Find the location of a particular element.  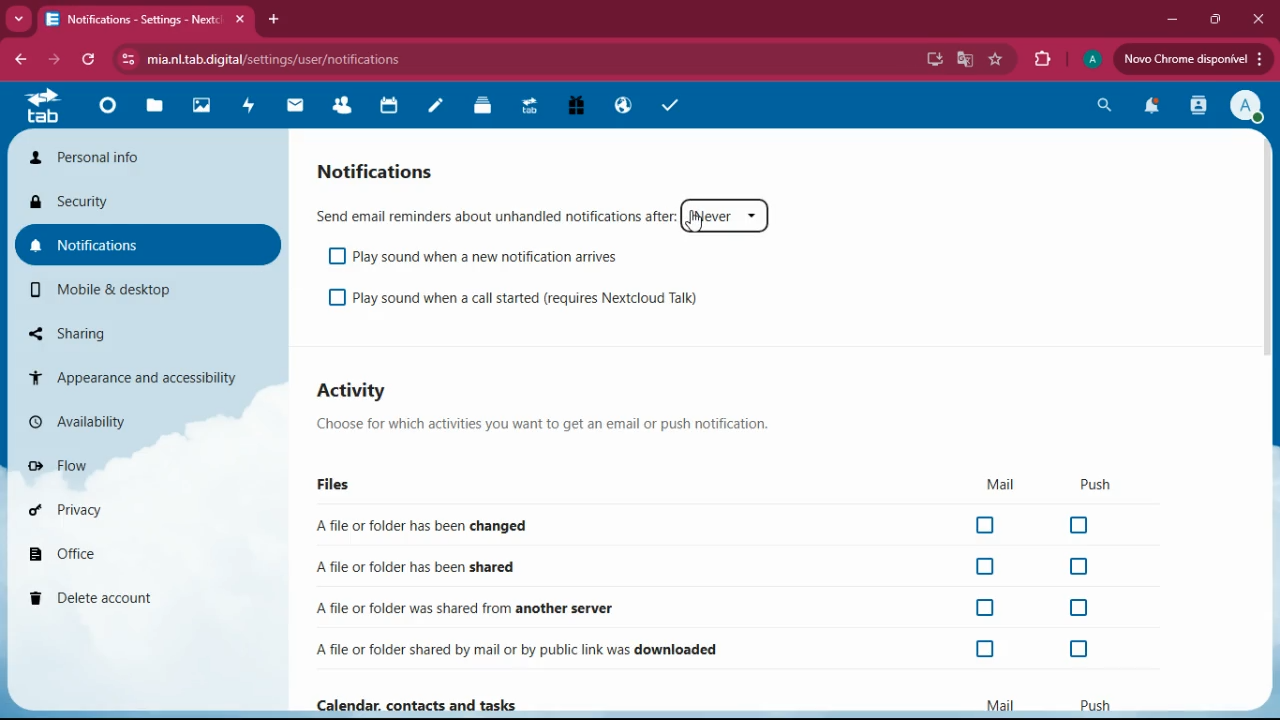

close is located at coordinates (1259, 20).